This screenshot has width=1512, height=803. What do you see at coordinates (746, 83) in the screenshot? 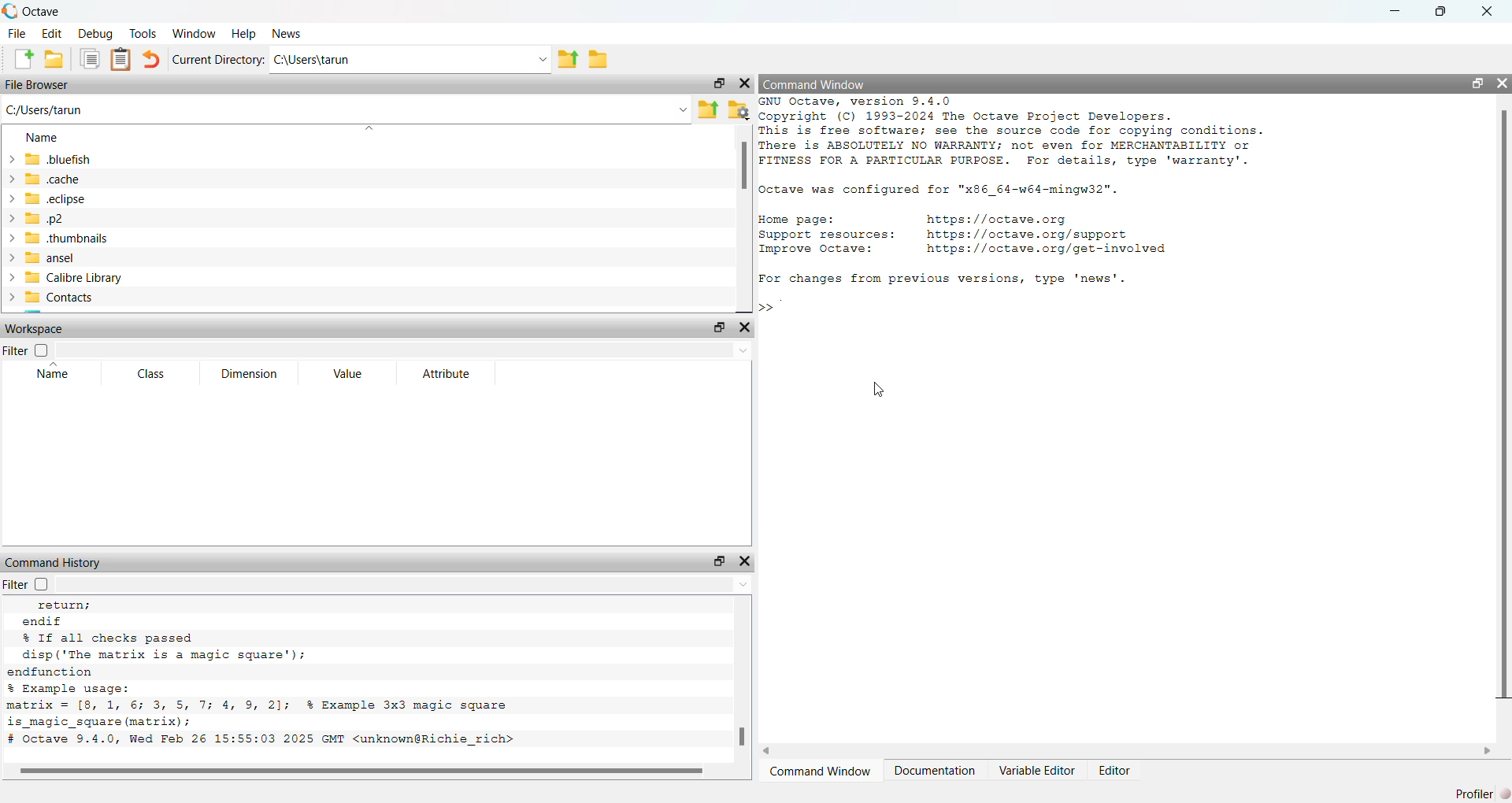
I see `close` at bounding box center [746, 83].